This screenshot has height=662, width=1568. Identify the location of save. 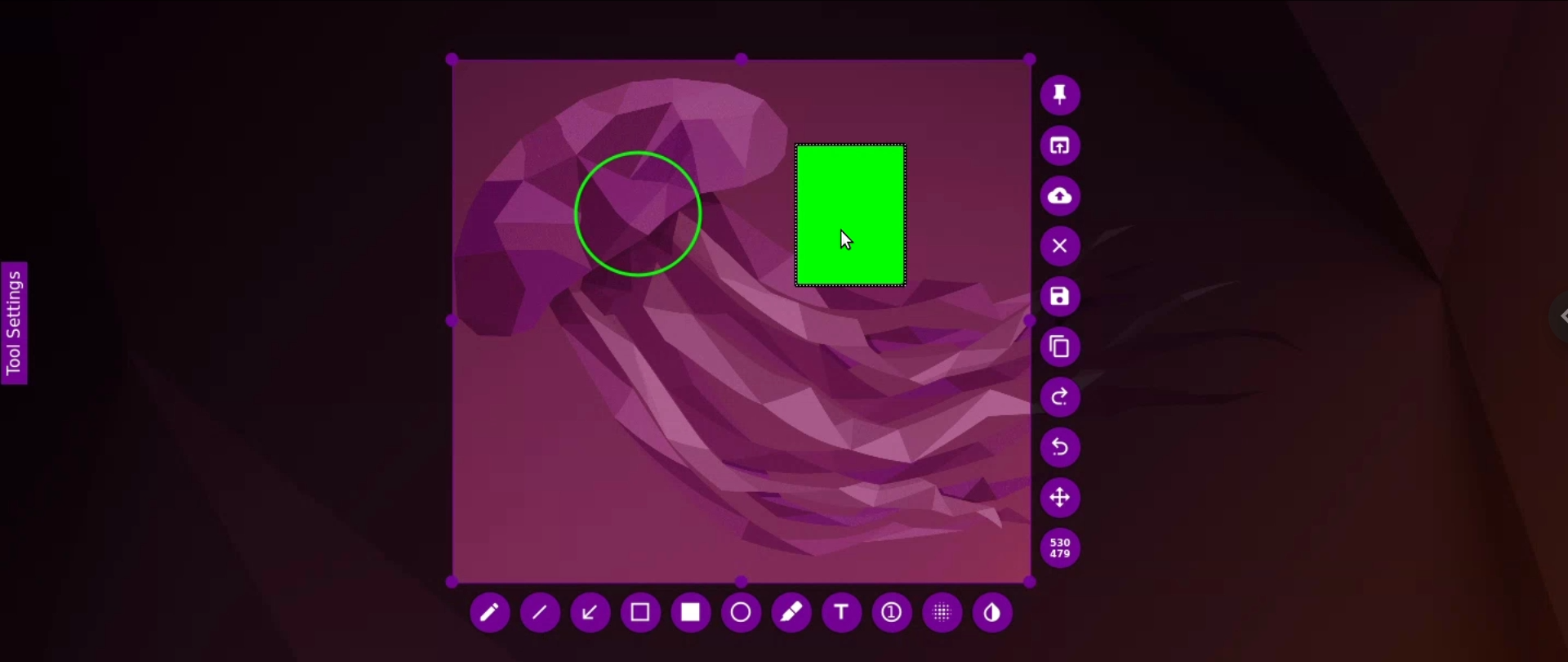
(1060, 296).